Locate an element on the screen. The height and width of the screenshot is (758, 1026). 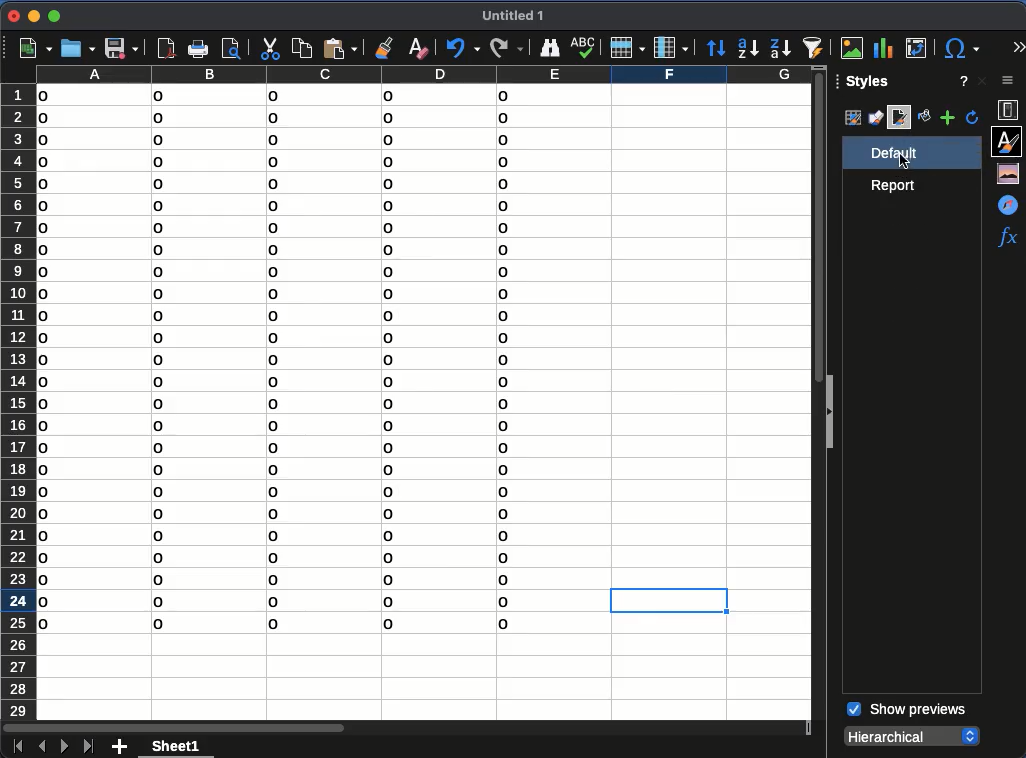
cut is located at coordinates (269, 49).